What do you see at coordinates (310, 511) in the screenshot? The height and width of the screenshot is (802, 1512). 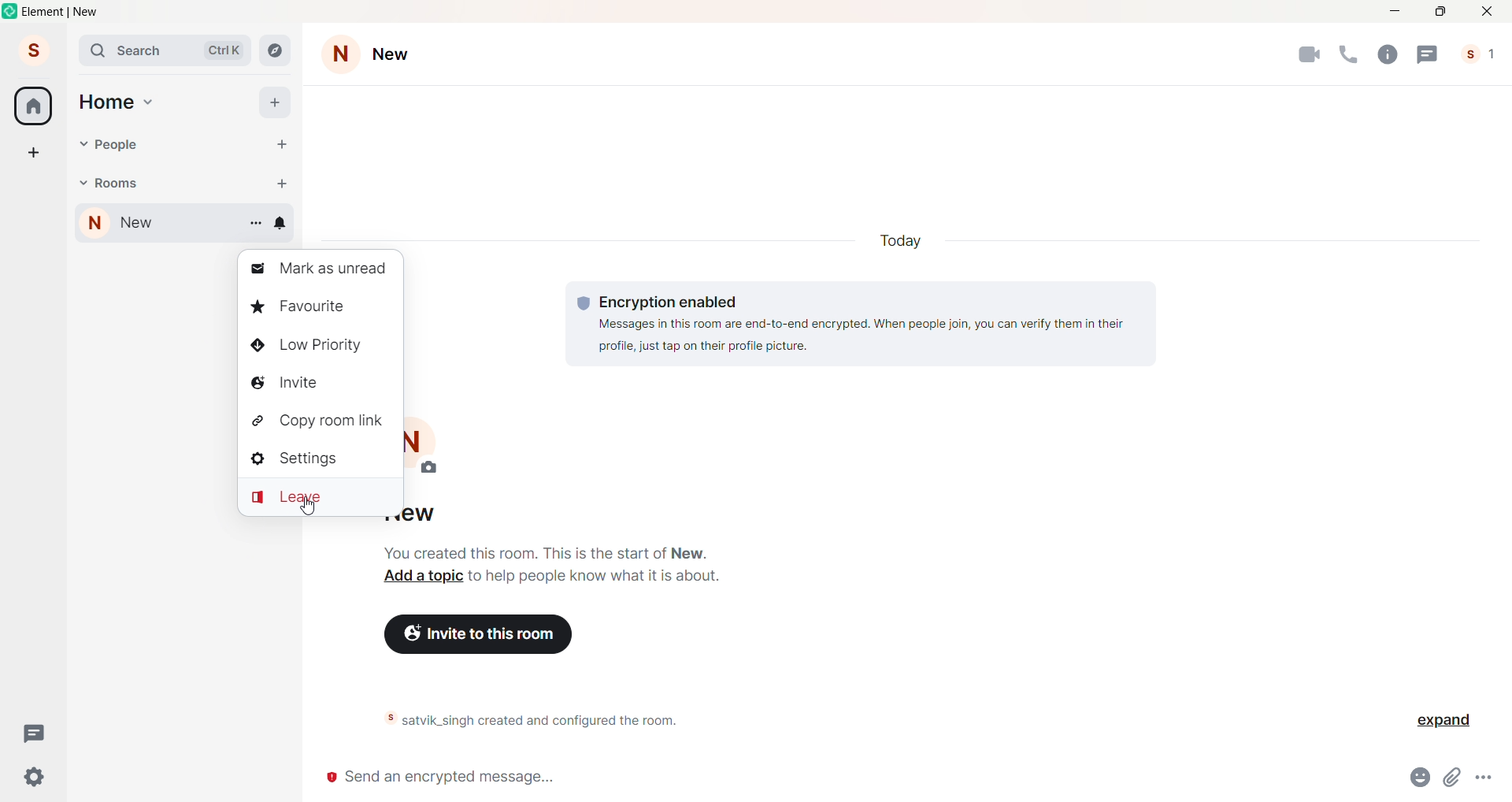 I see `Cursor` at bounding box center [310, 511].